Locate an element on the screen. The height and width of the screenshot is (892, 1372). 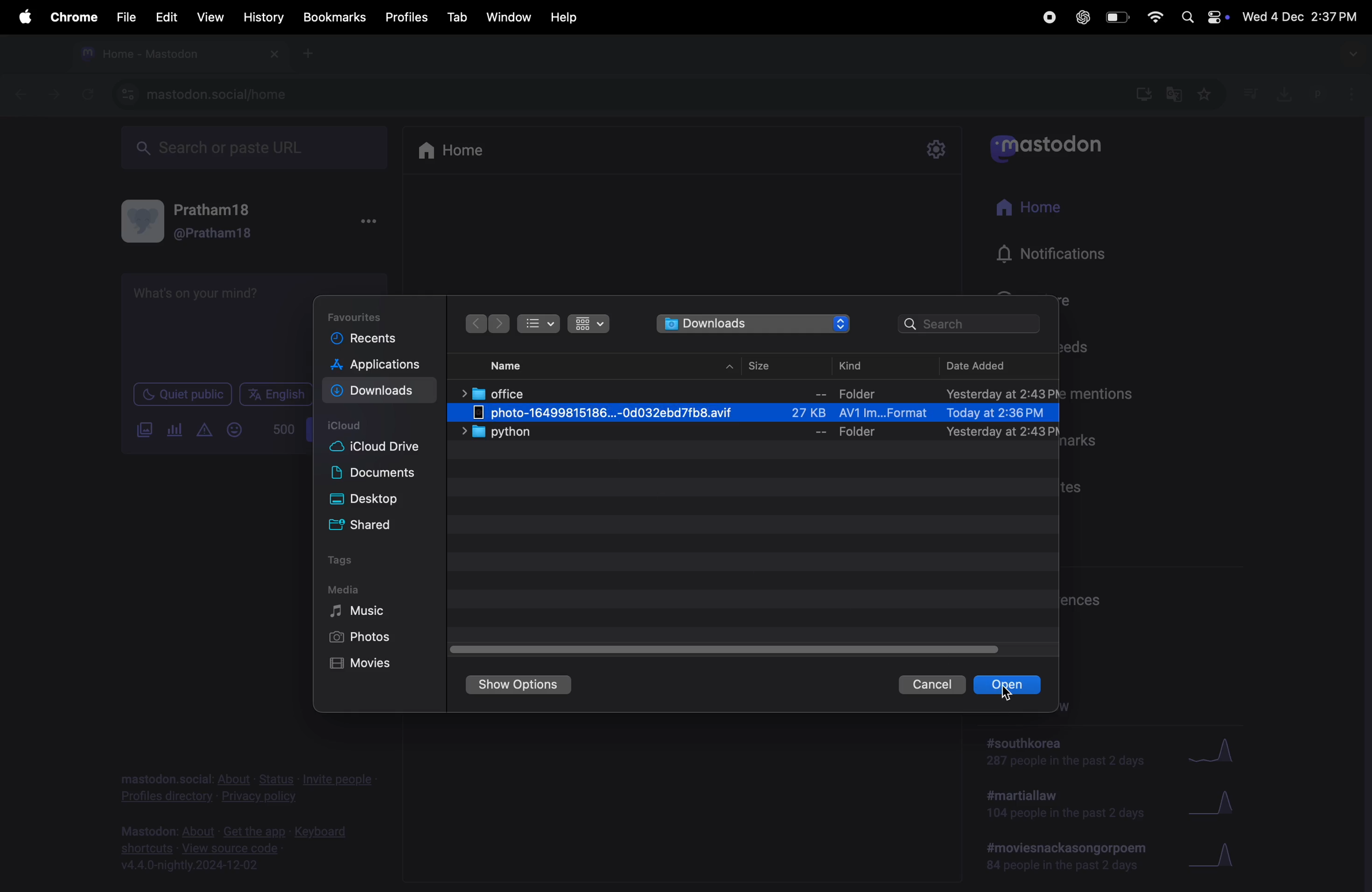
backward is located at coordinates (476, 323).